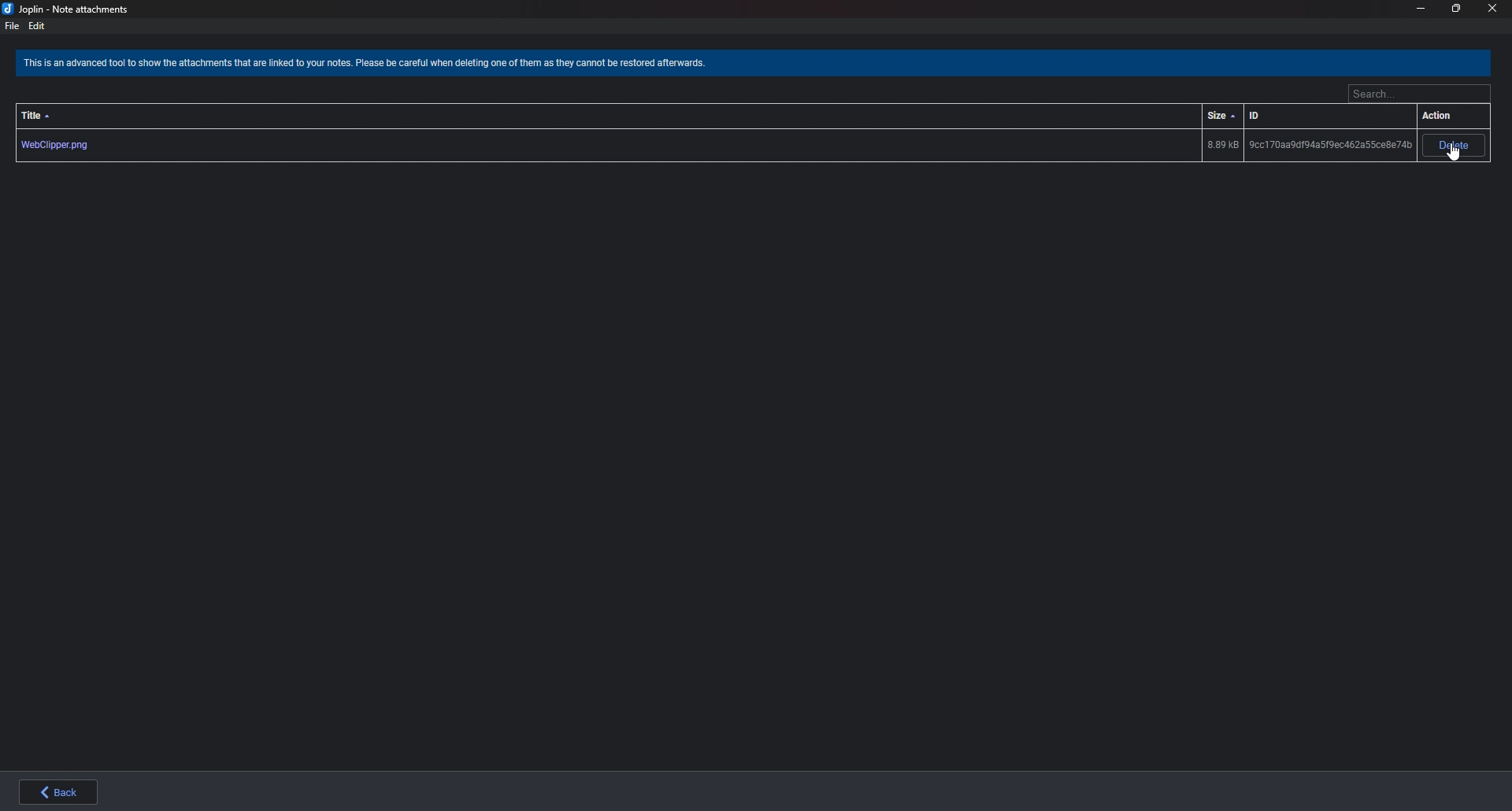 The image size is (1512, 811). What do you see at coordinates (1455, 146) in the screenshot?
I see `Delete` at bounding box center [1455, 146].